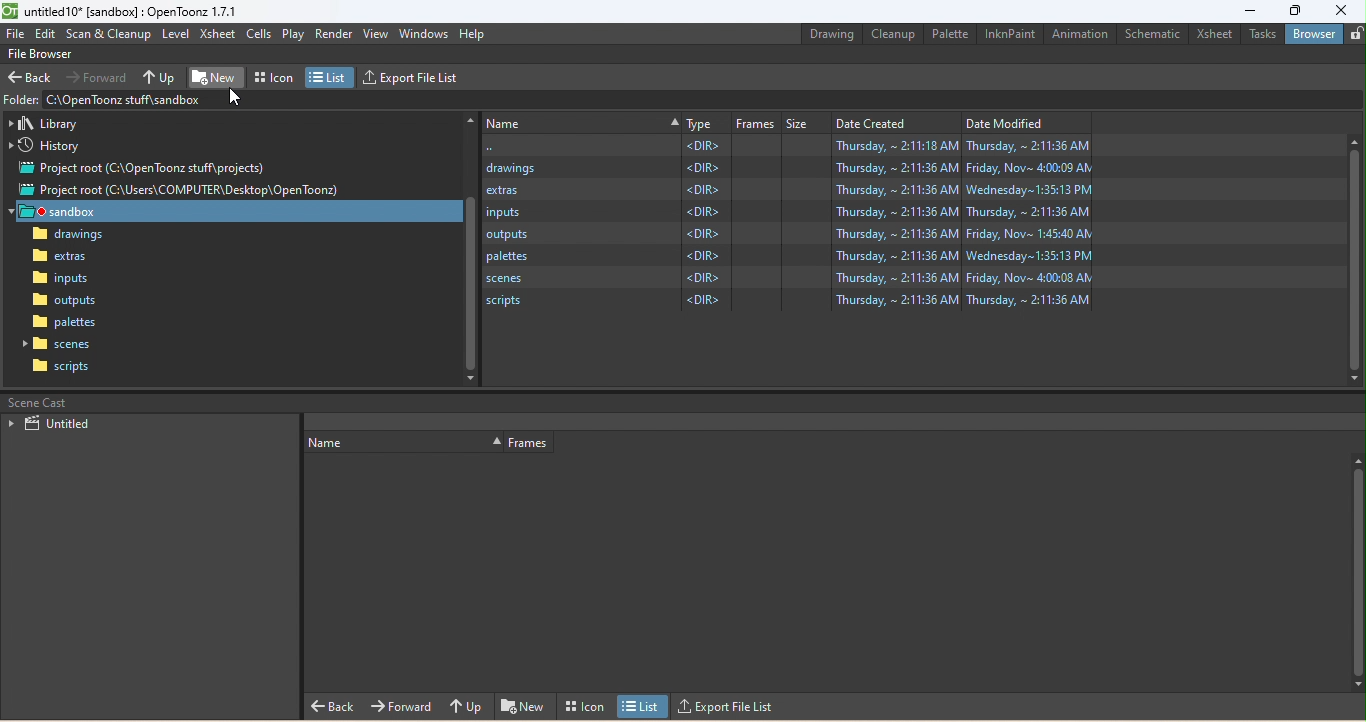 This screenshot has width=1366, height=722. What do you see at coordinates (473, 34) in the screenshot?
I see `Help` at bounding box center [473, 34].